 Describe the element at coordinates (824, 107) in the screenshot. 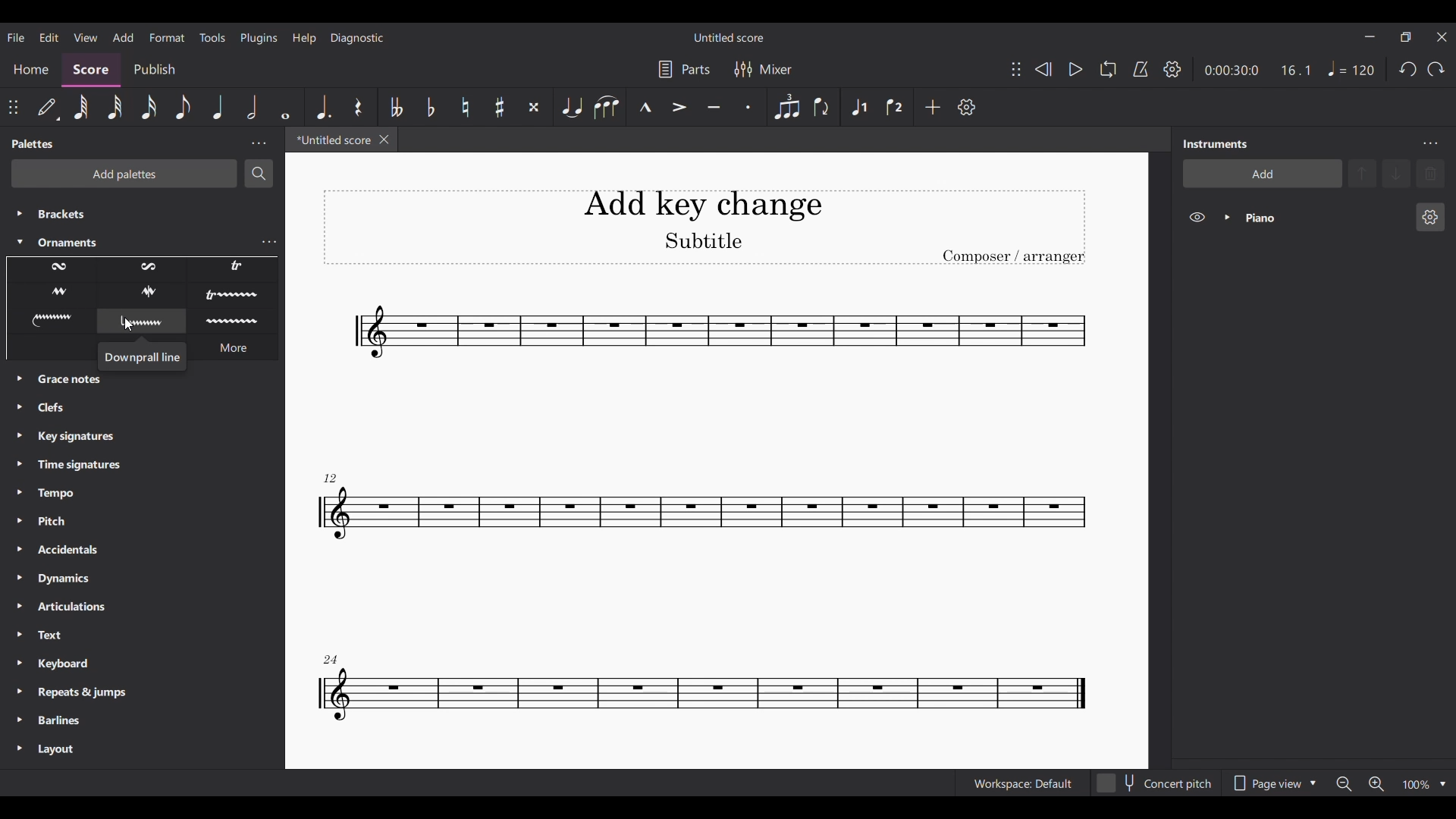

I see `Flip direction` at that location.